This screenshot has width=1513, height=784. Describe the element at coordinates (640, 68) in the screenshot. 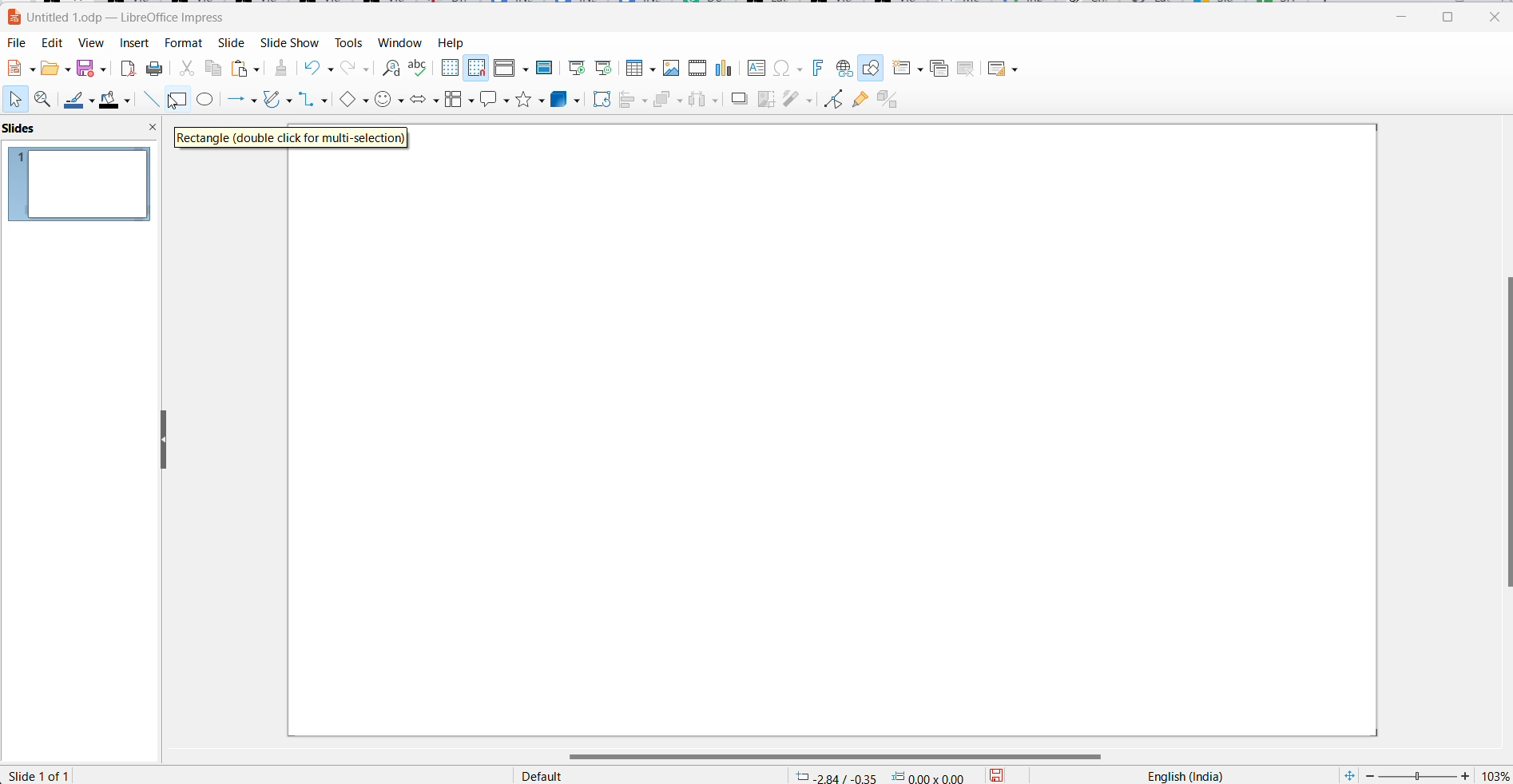

I see `Insert table` at that location.